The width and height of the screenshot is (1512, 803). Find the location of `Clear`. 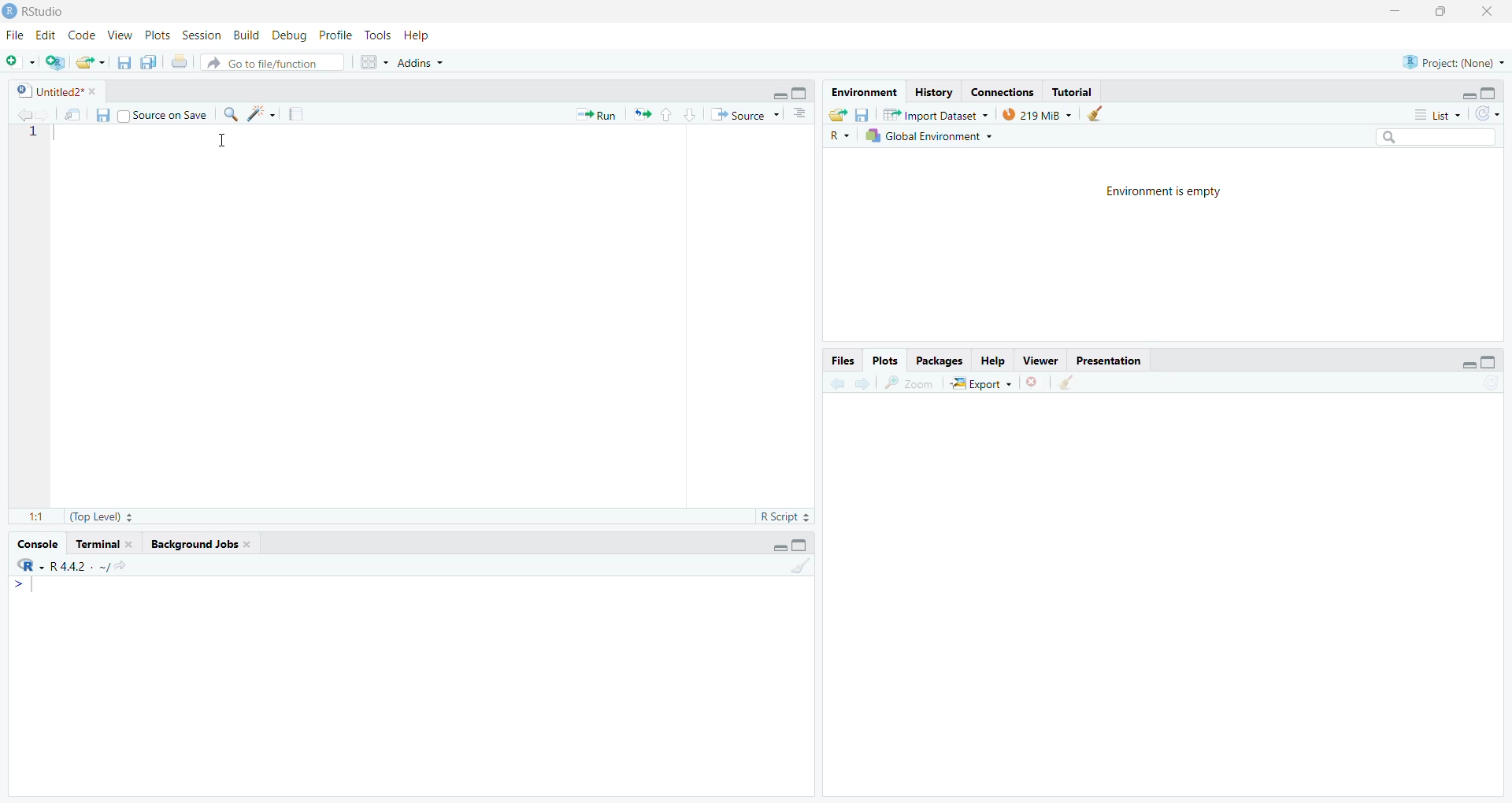

Clear is located at coordinates (1100, 113).